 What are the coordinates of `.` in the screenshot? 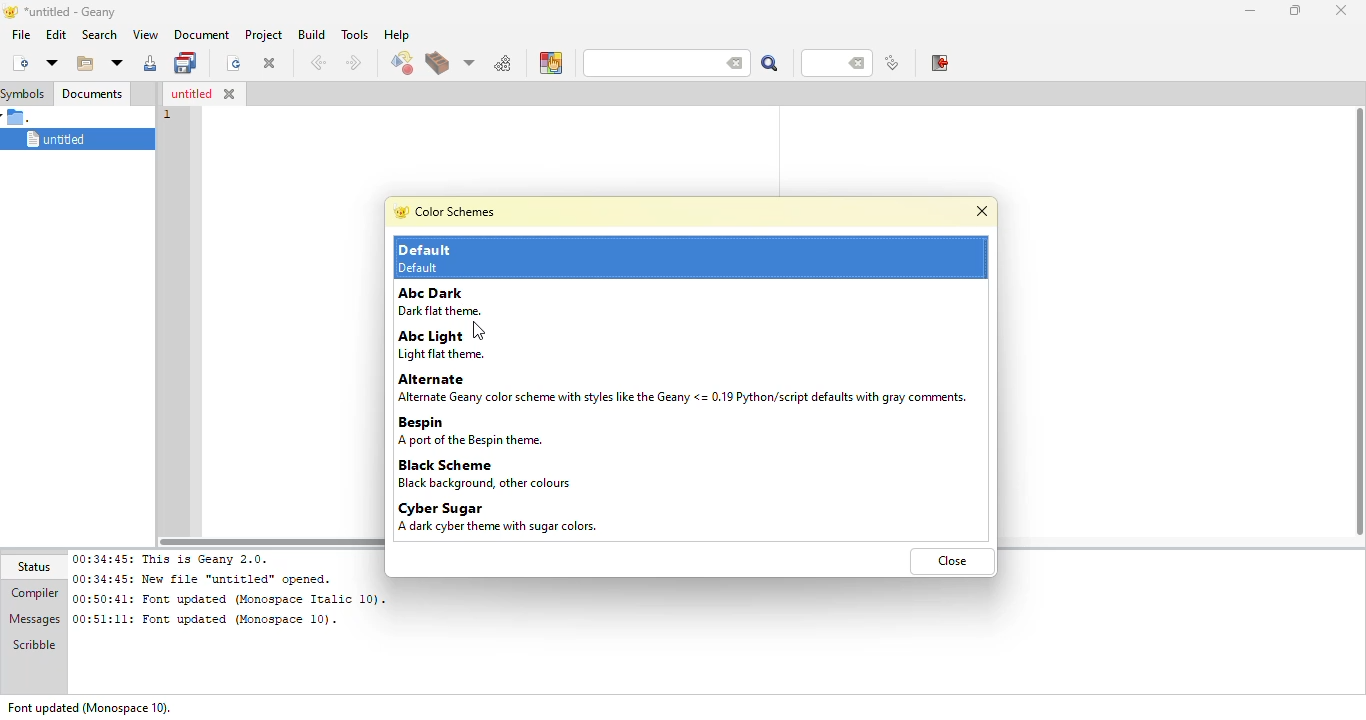 It's located at (26, 117).